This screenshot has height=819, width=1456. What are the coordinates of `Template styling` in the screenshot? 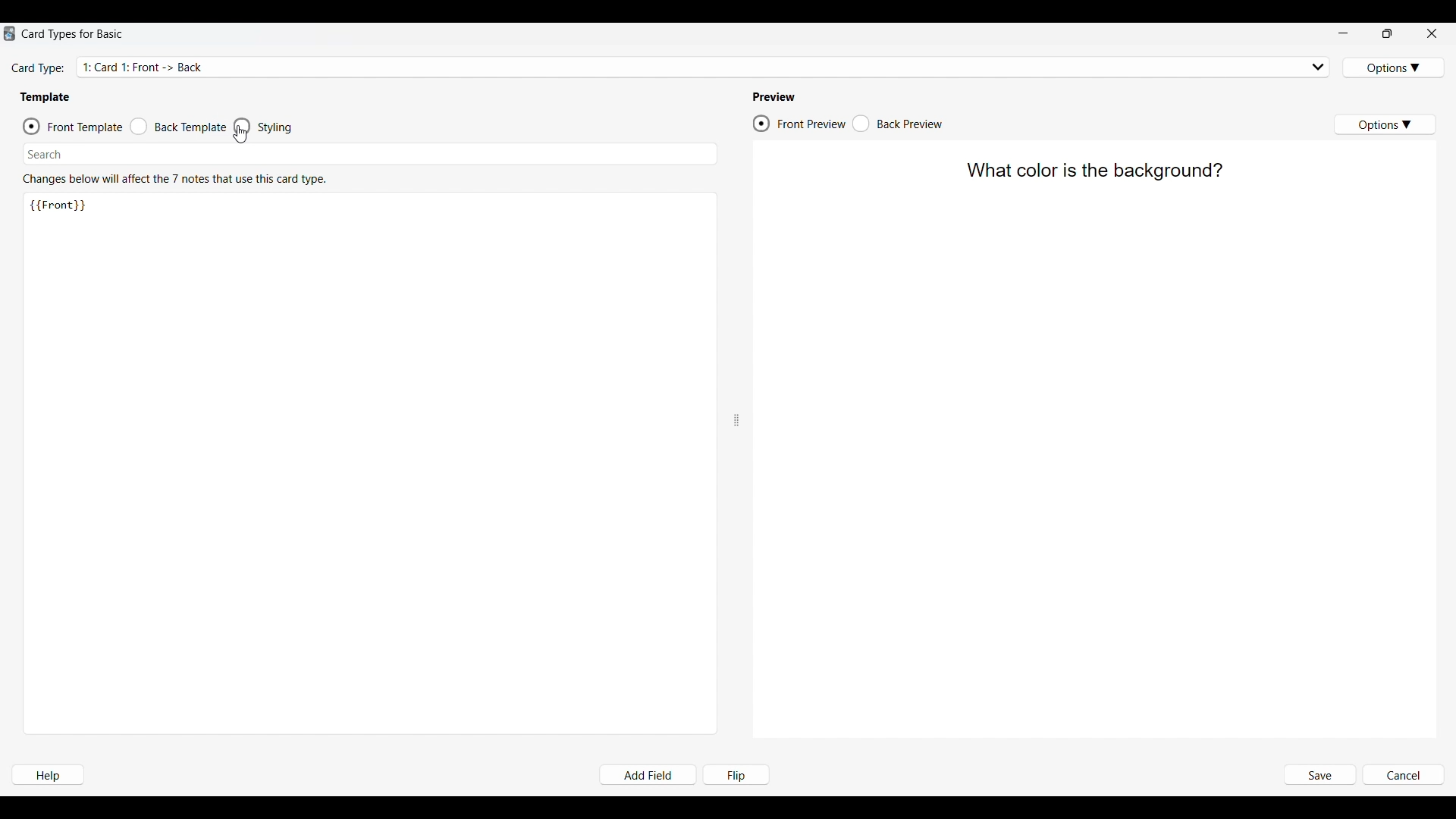 It's located at (263, 125).